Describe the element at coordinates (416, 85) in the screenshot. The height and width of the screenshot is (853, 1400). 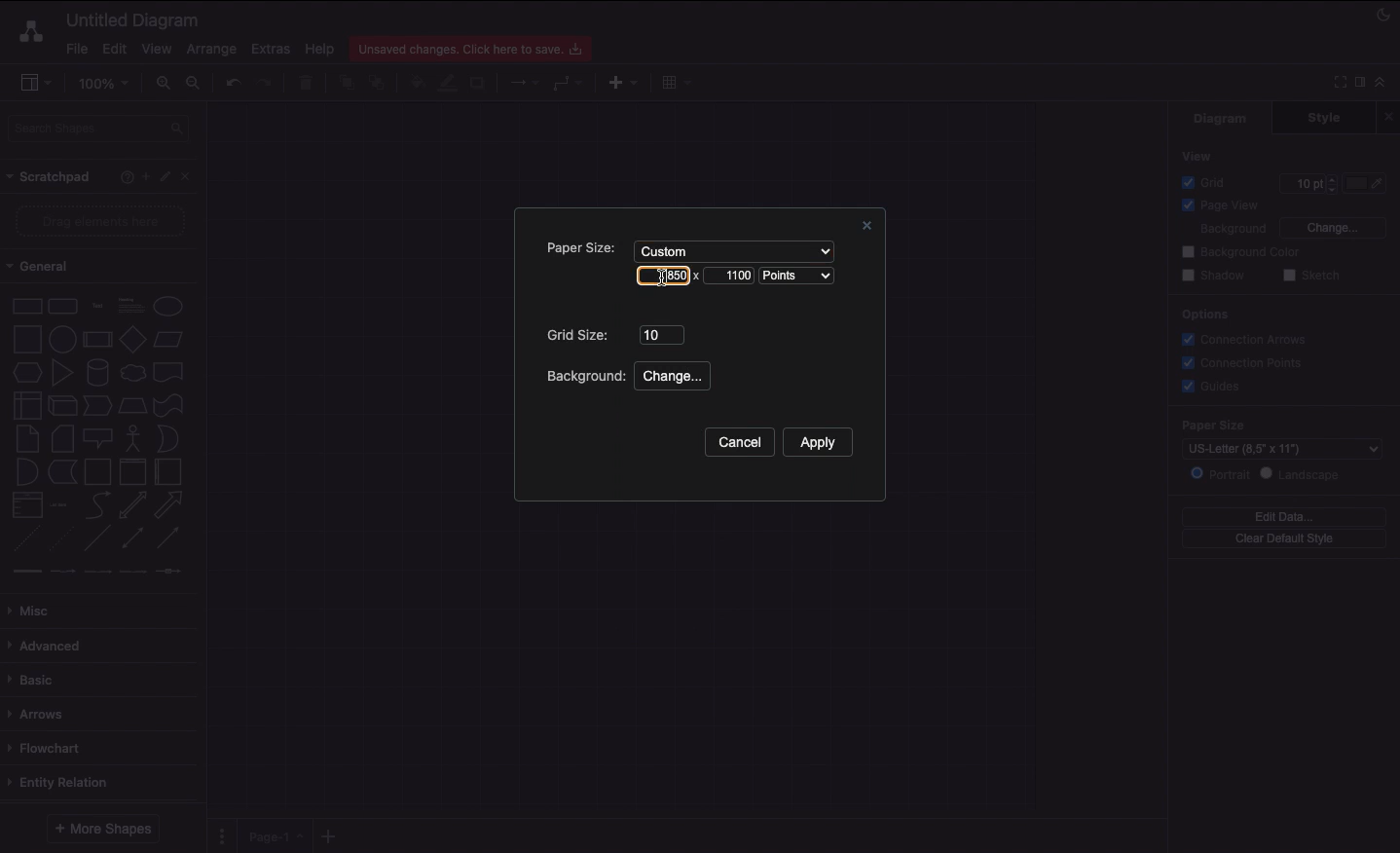
I see `Fill color` at that location.